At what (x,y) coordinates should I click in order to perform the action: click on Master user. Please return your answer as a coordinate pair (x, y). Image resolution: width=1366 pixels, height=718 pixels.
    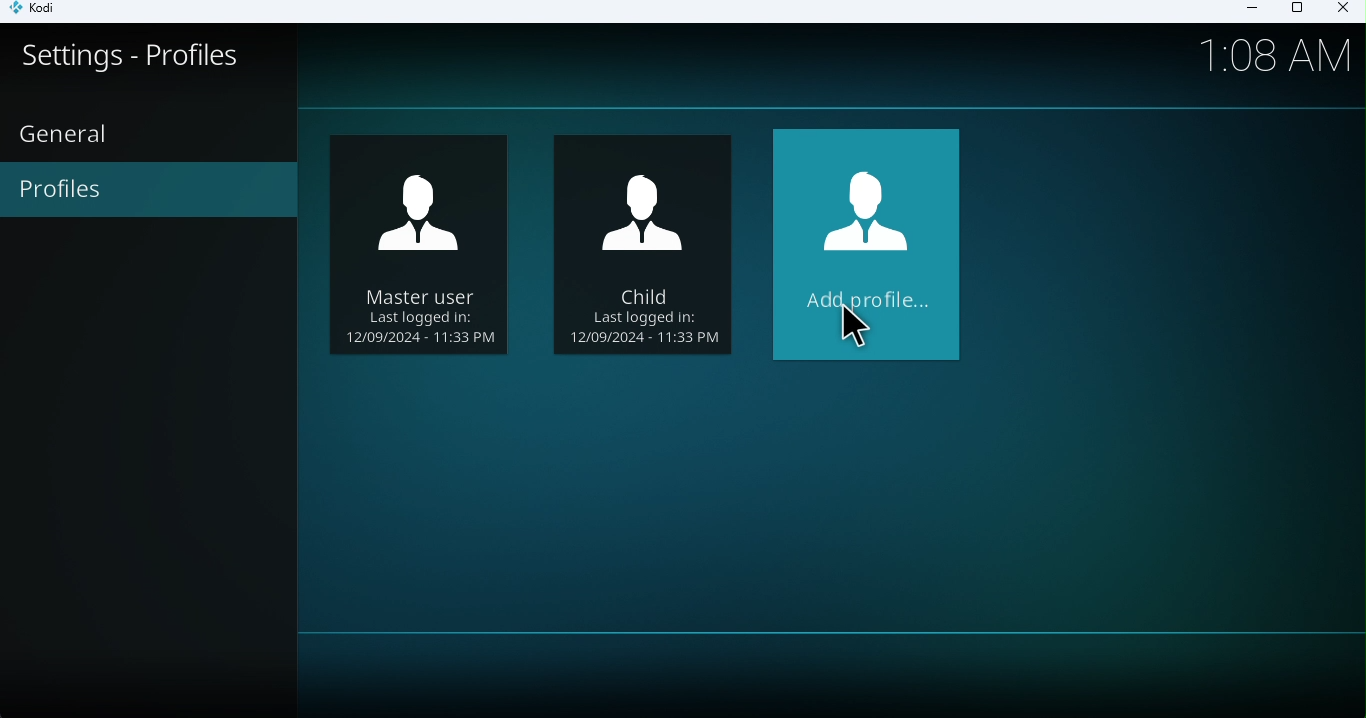
    Looking at the image, I should click on (643, 243).